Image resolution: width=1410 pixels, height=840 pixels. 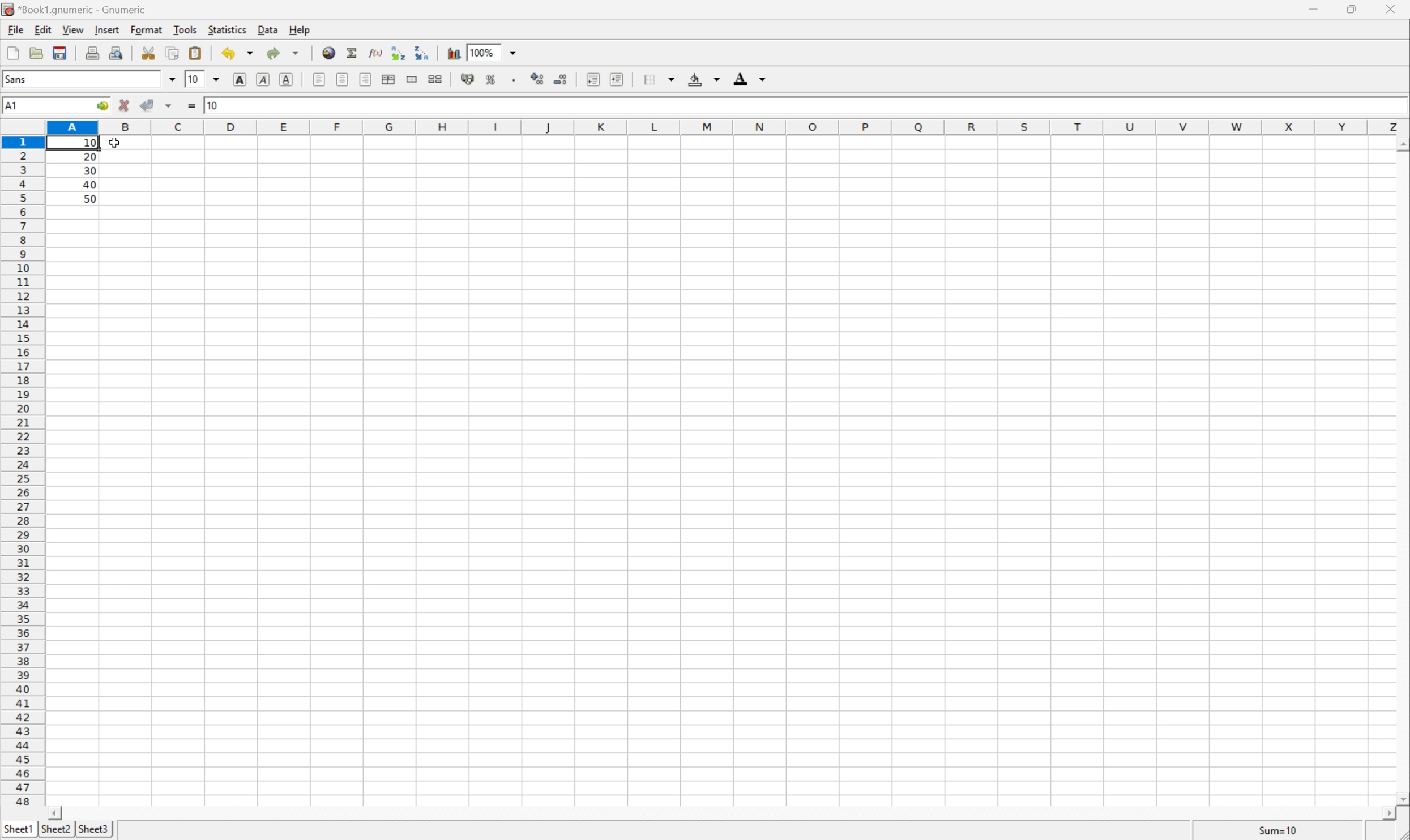 What do you see at coordinates (456, 53) in the screenshot?
I see `Insert chart` at bounding box center [456, 53].